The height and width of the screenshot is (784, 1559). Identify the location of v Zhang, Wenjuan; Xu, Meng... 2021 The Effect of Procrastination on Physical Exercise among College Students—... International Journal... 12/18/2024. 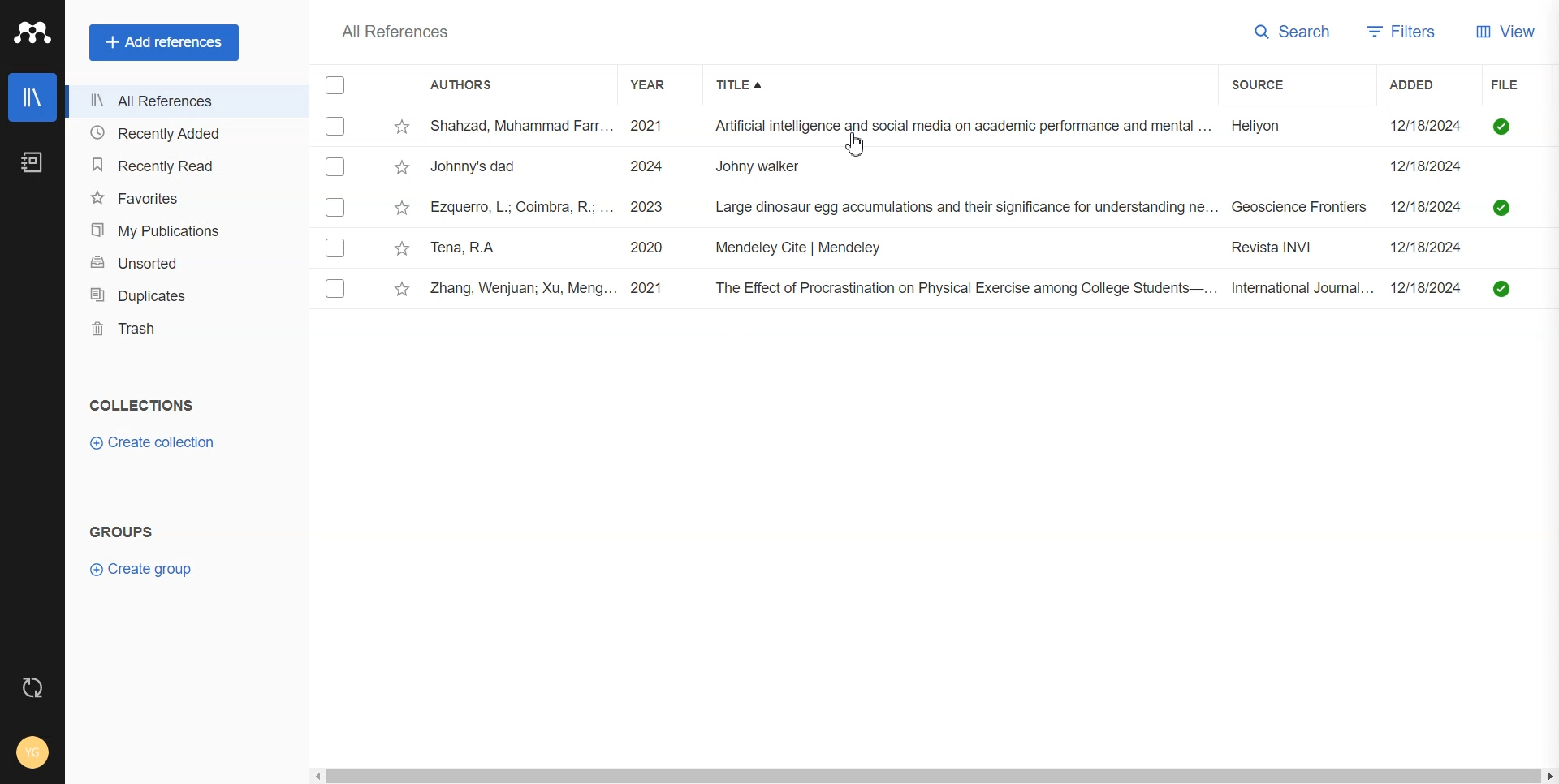
(948, 291).